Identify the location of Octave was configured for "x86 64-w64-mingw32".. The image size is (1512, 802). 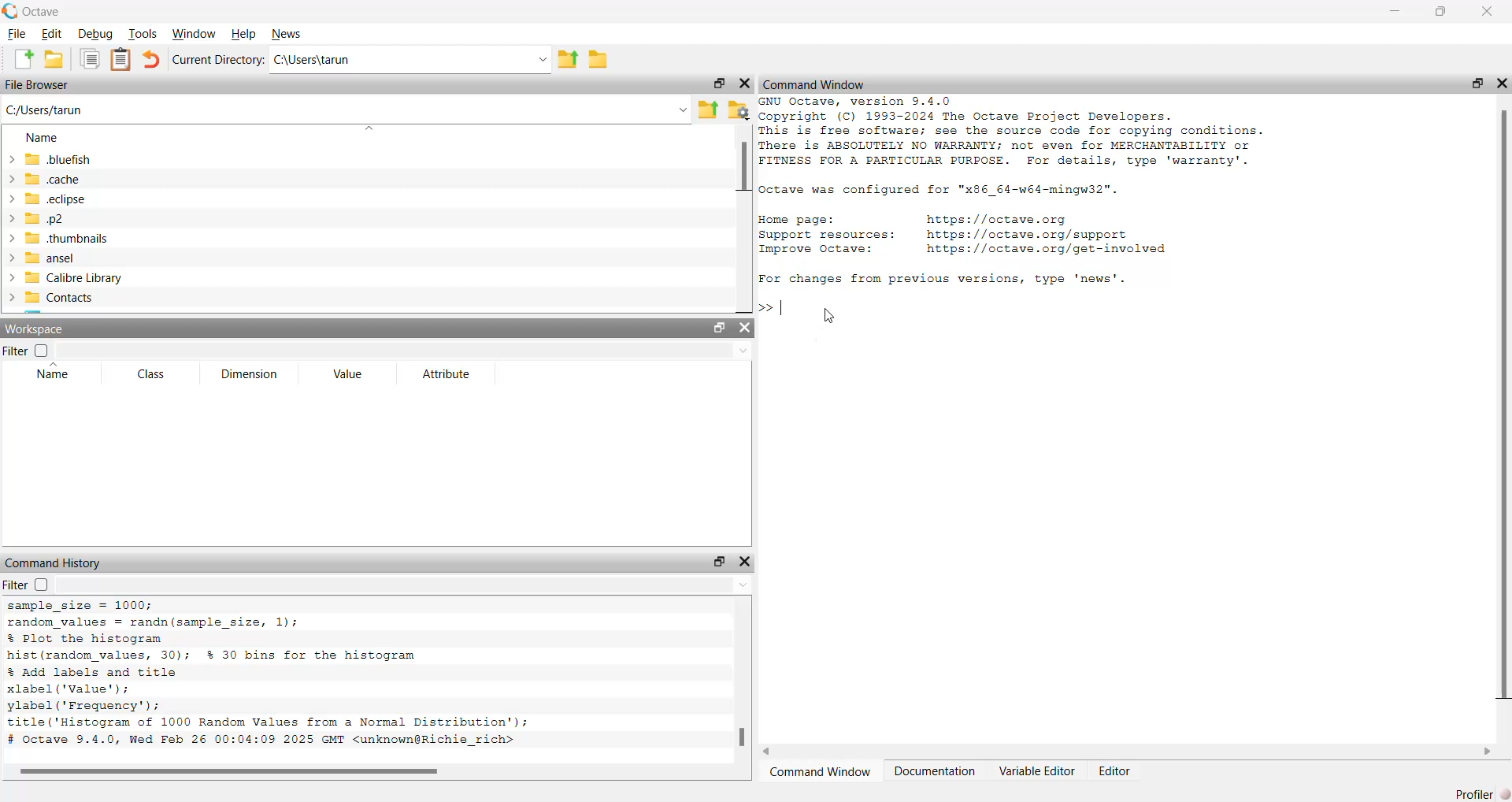
(939, 190).